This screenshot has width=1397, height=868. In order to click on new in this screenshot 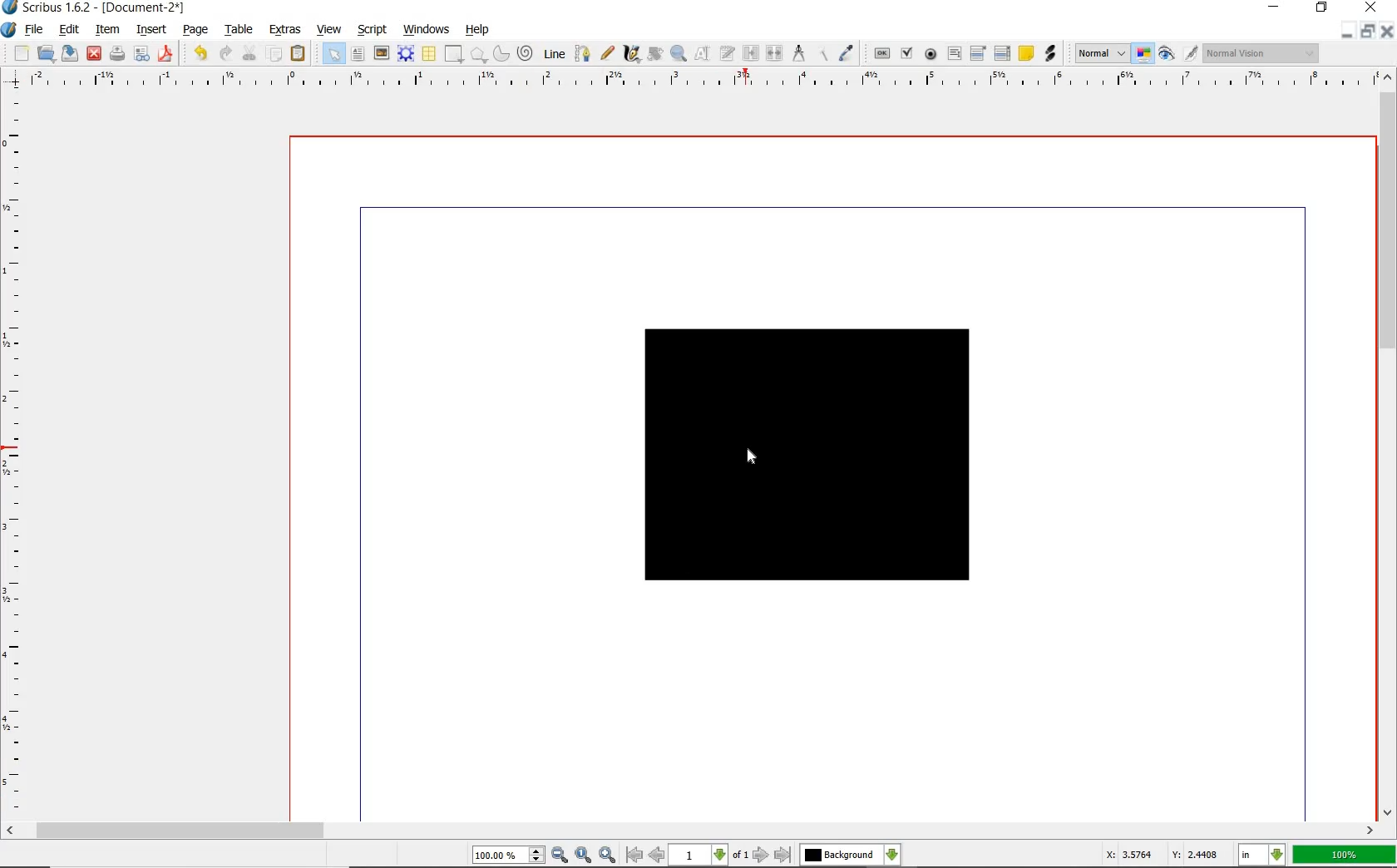, I will do `click(22, 53)`.